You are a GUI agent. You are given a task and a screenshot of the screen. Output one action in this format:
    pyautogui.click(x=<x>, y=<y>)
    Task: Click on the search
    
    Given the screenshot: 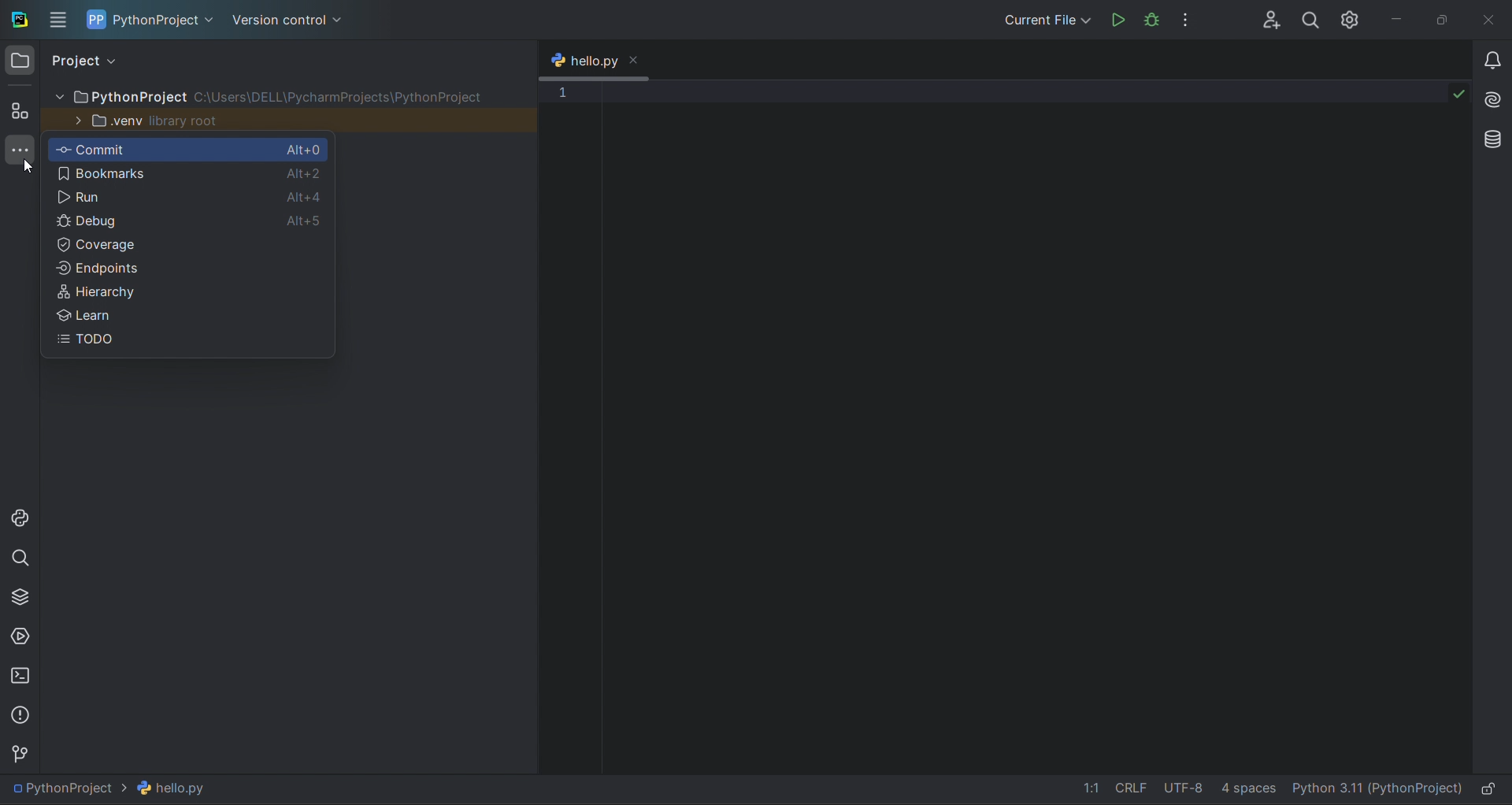 What is the action you would take?
    pyautogui.click(x=22, y=558)
    